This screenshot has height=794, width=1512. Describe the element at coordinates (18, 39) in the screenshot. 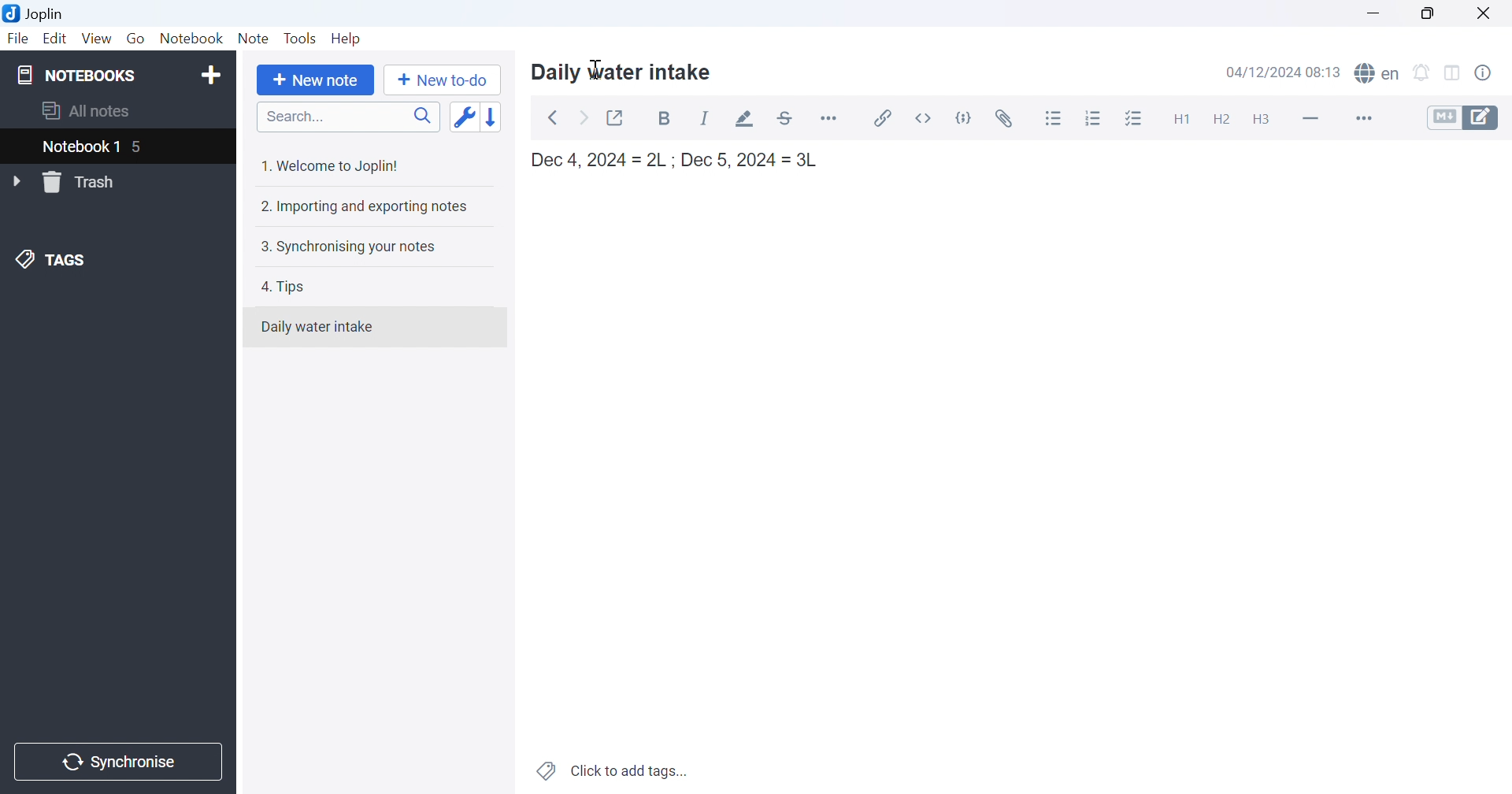

I see `File` at that location.